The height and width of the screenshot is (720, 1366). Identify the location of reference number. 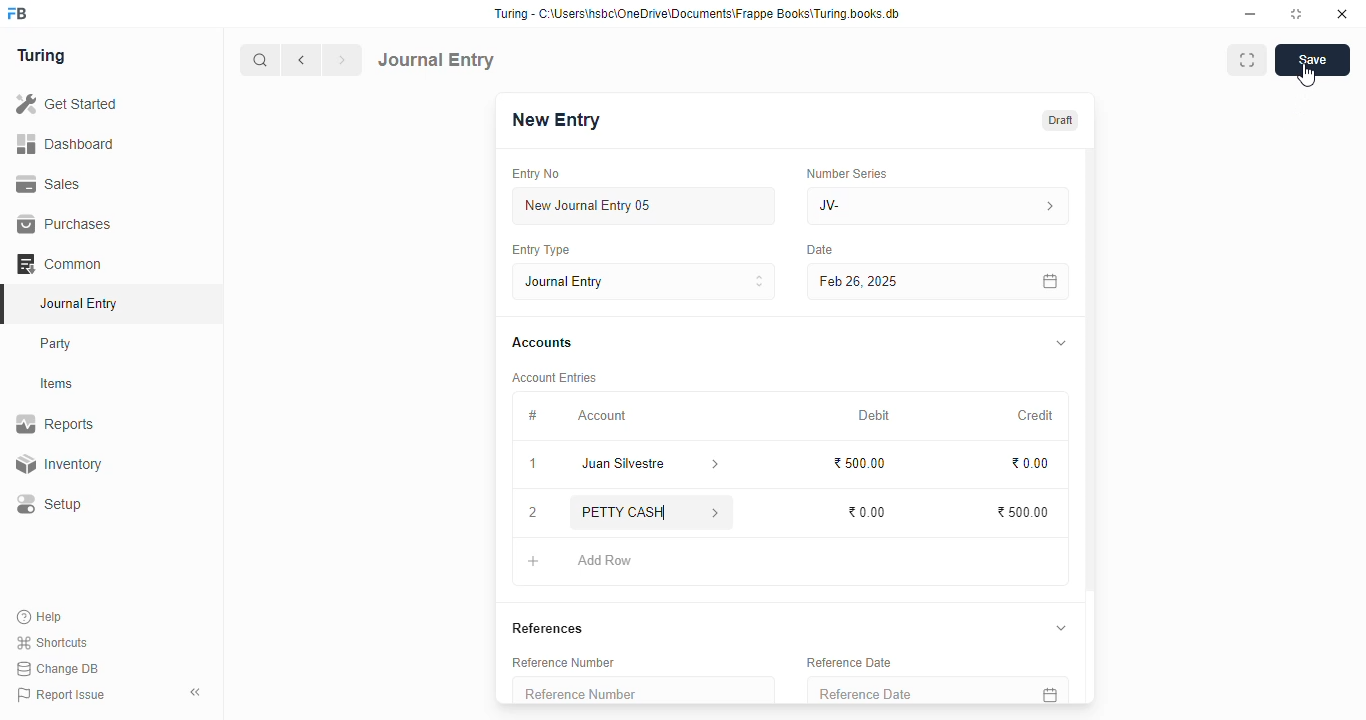
(563, 662).